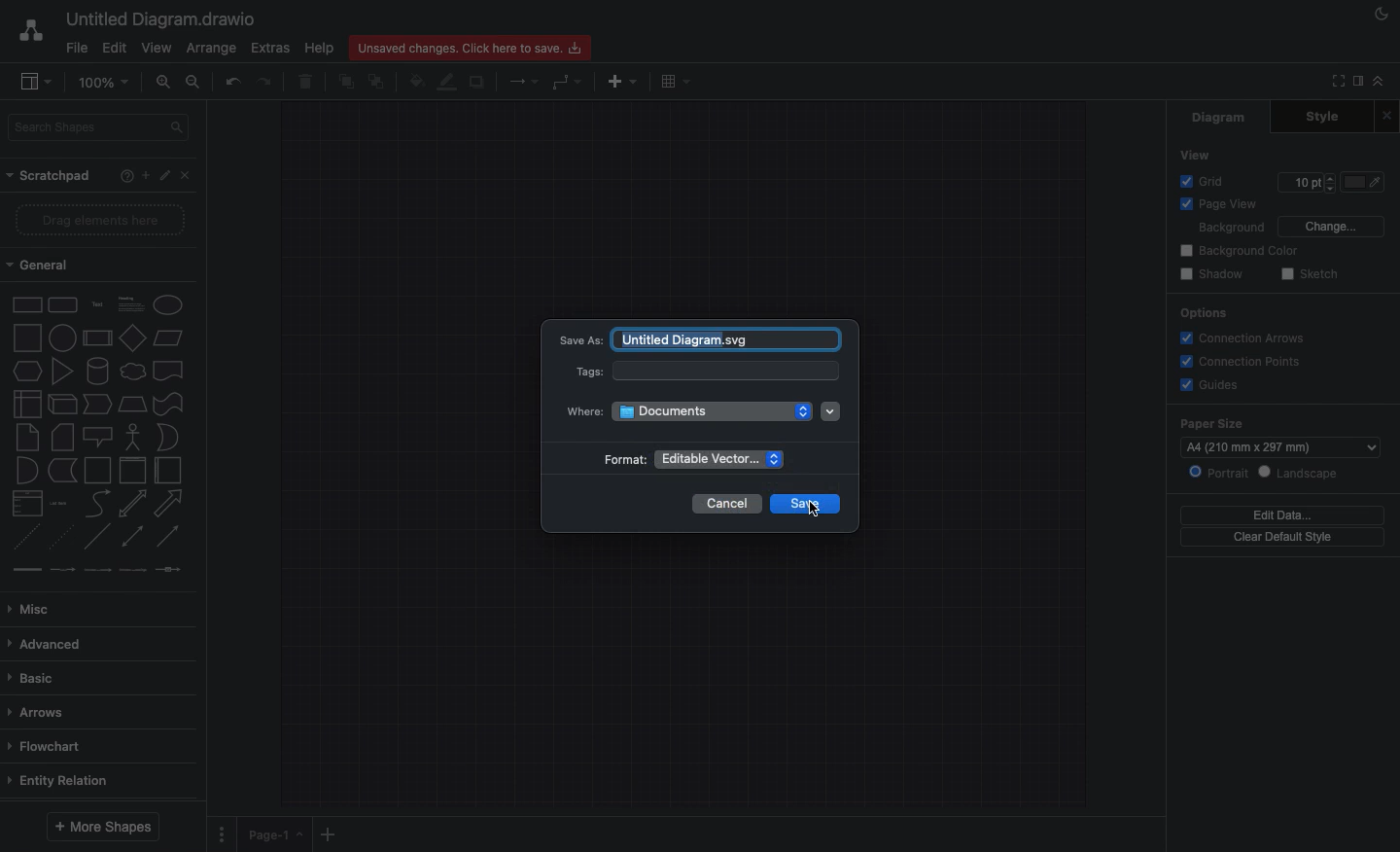 This screenshot has height=852, width=1400. Describe the element at coordinates (211, 50) in the screenshot. I see `Arrange` at that location.